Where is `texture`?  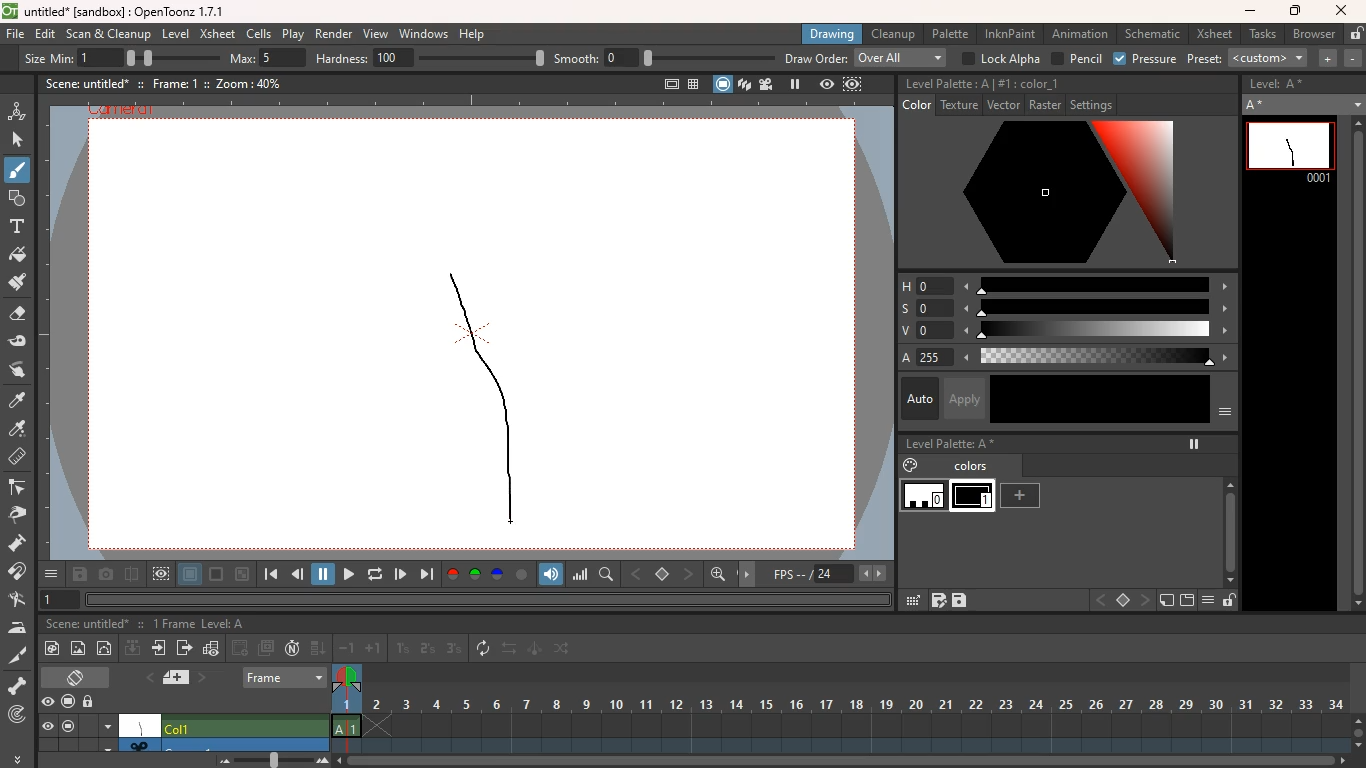
texture is located at coordinates (959, 106).